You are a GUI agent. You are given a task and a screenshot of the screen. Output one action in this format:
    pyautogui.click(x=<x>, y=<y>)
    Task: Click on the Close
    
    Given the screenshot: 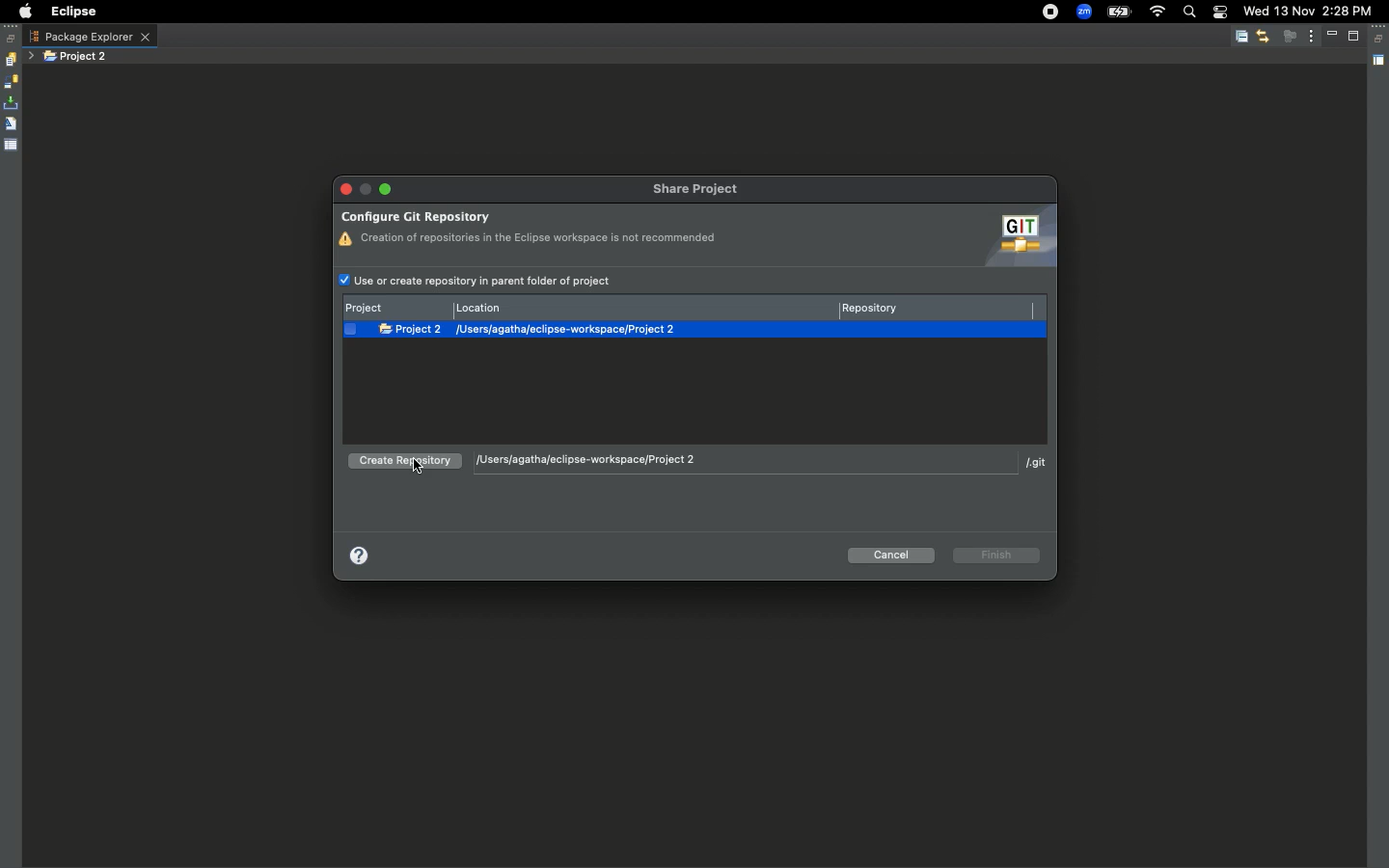 What is the action you would take?
    pyautogui.click(x=348, y=189)
    